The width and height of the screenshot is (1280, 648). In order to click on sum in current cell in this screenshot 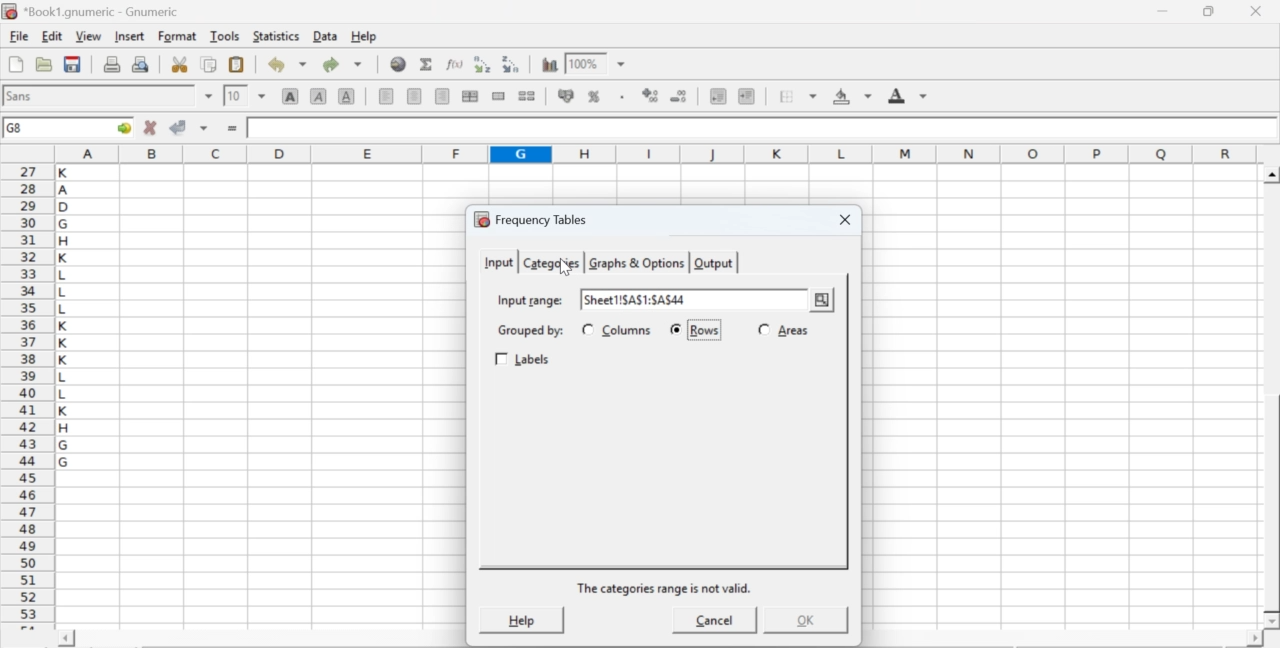, I will do `click(427, 63)`.